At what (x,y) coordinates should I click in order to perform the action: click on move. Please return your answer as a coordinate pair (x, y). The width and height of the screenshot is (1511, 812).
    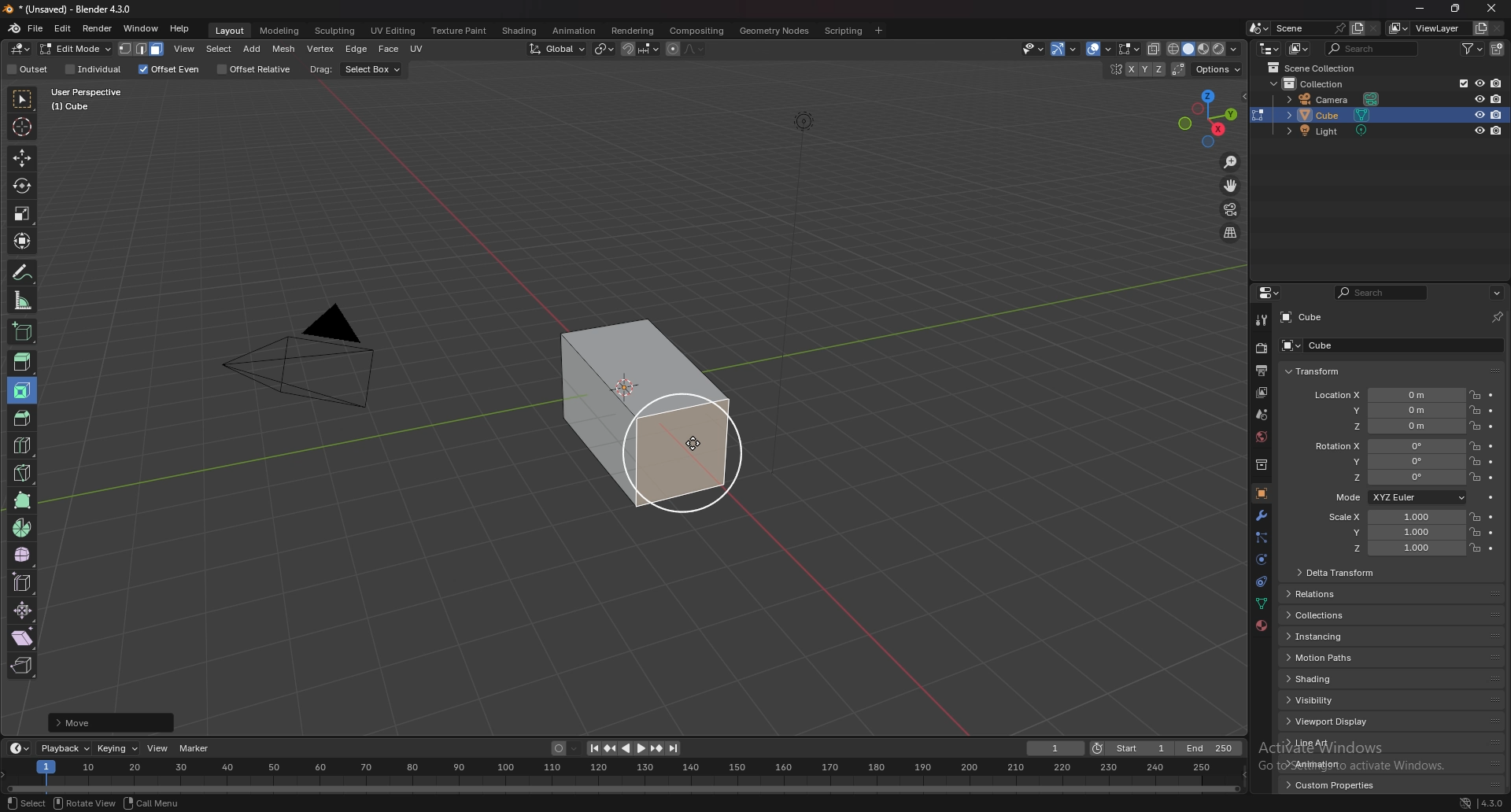
    Looking at the image, I should click on (21, 157).